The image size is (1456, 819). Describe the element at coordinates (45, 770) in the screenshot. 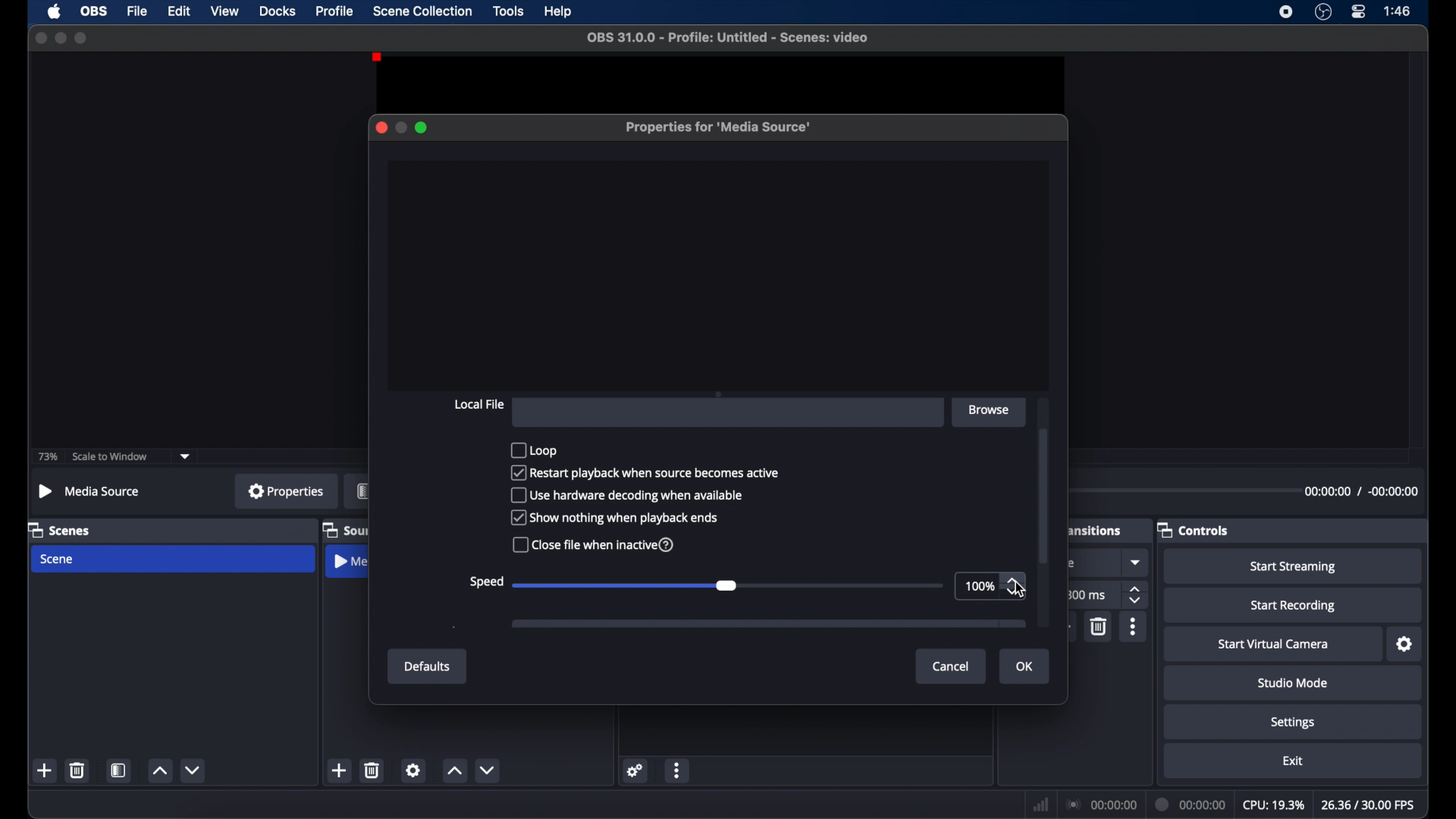

I see `add` at that location.